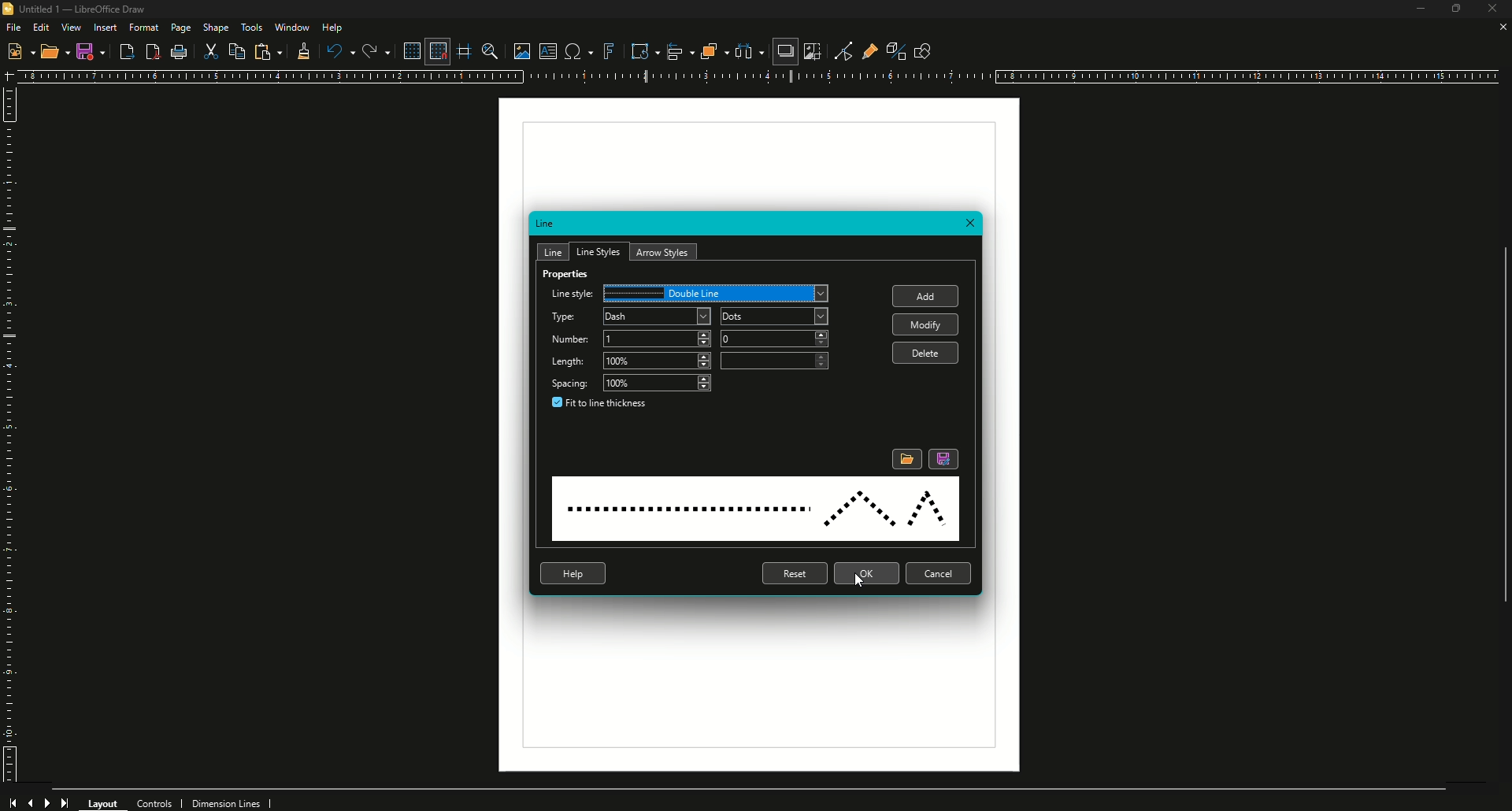  What do you see at coordinates (212, 53) in the screenshot?
I see `Cut` at bounding box center [212, 53].